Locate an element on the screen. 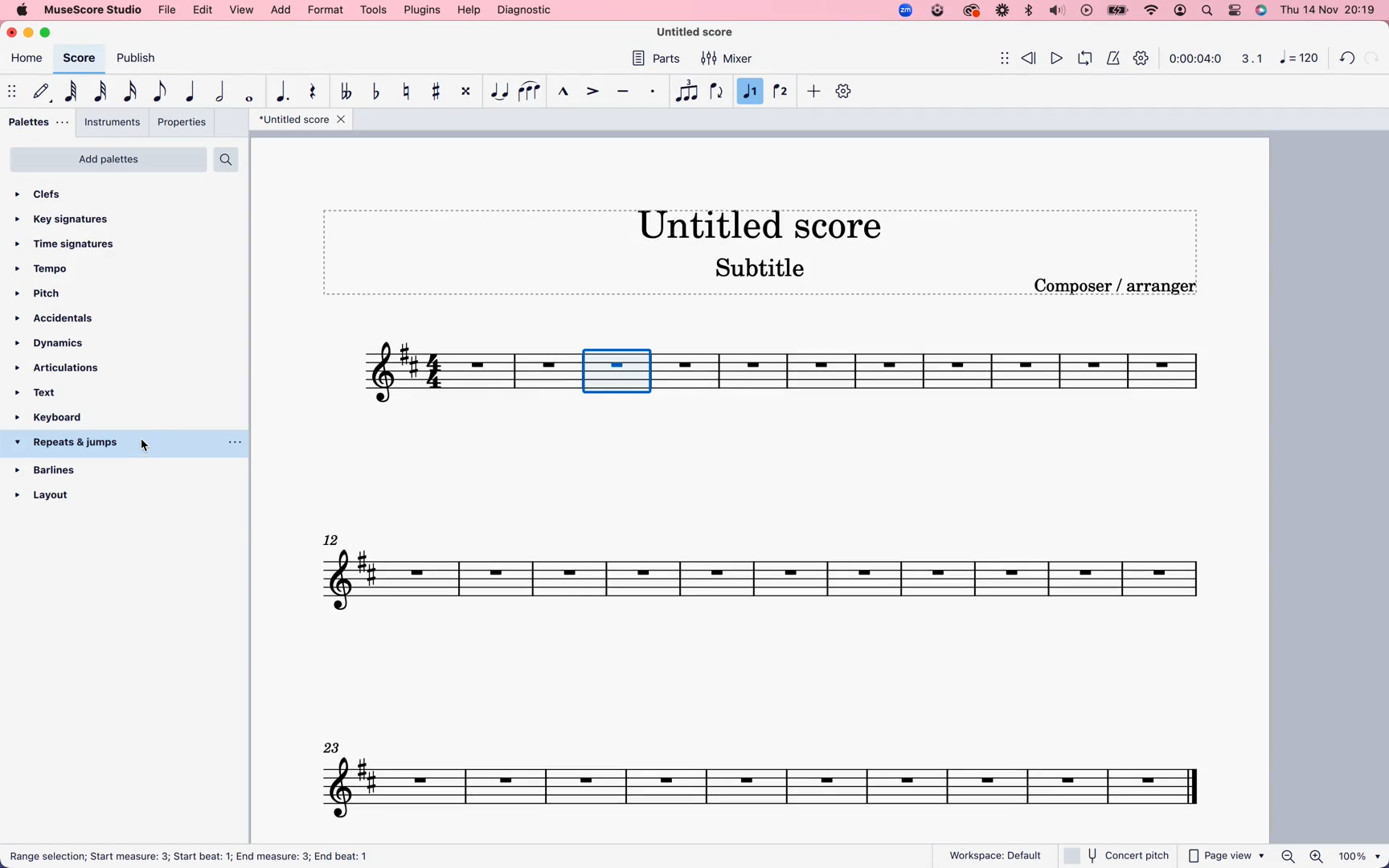 The image size is (1389, 868). dynamics is located at coordinates (59, 344).